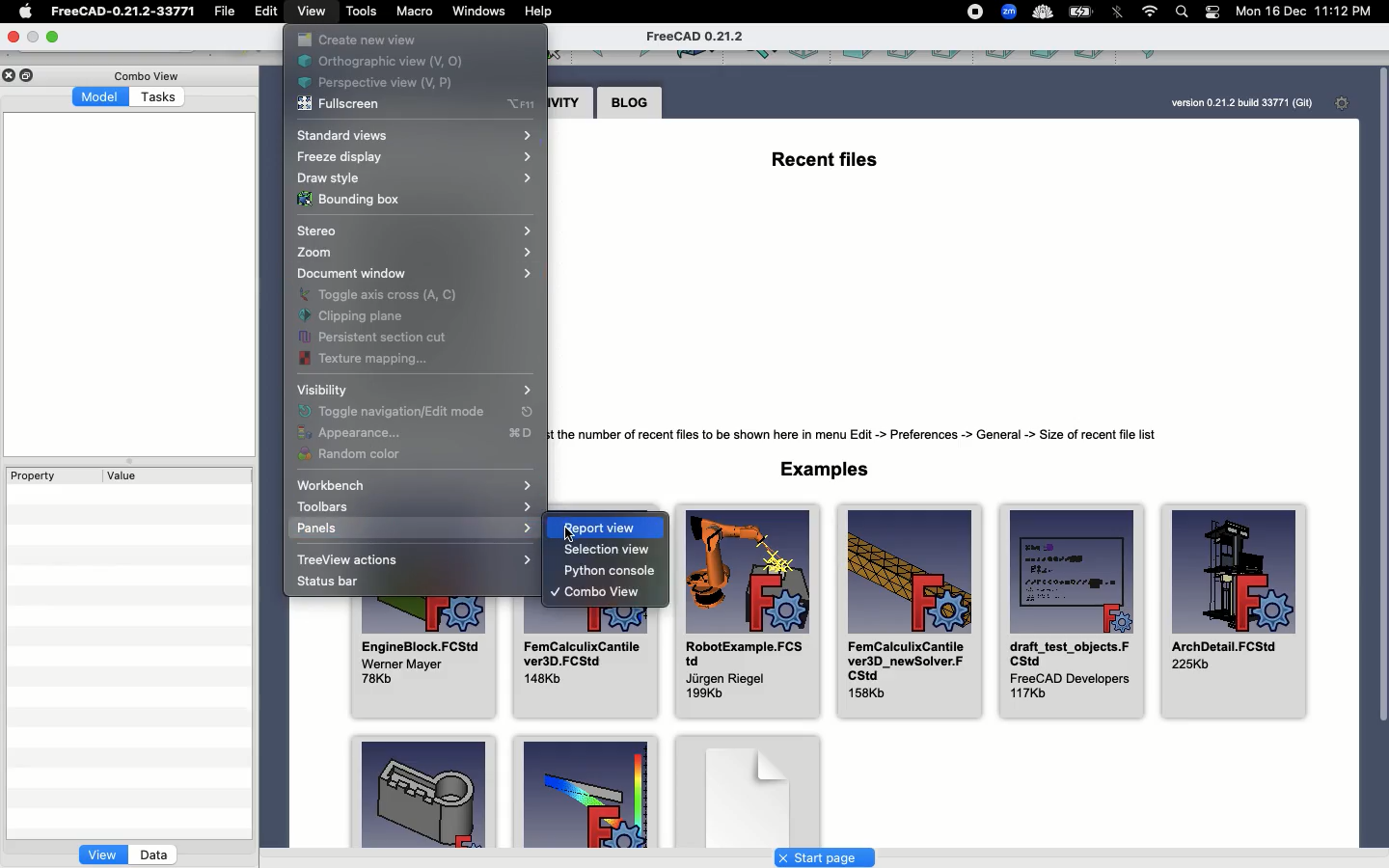  What do you see at coordinates (380, 82) in the screenshot?
I see `Perspective view` at bounding box center [380, 82].